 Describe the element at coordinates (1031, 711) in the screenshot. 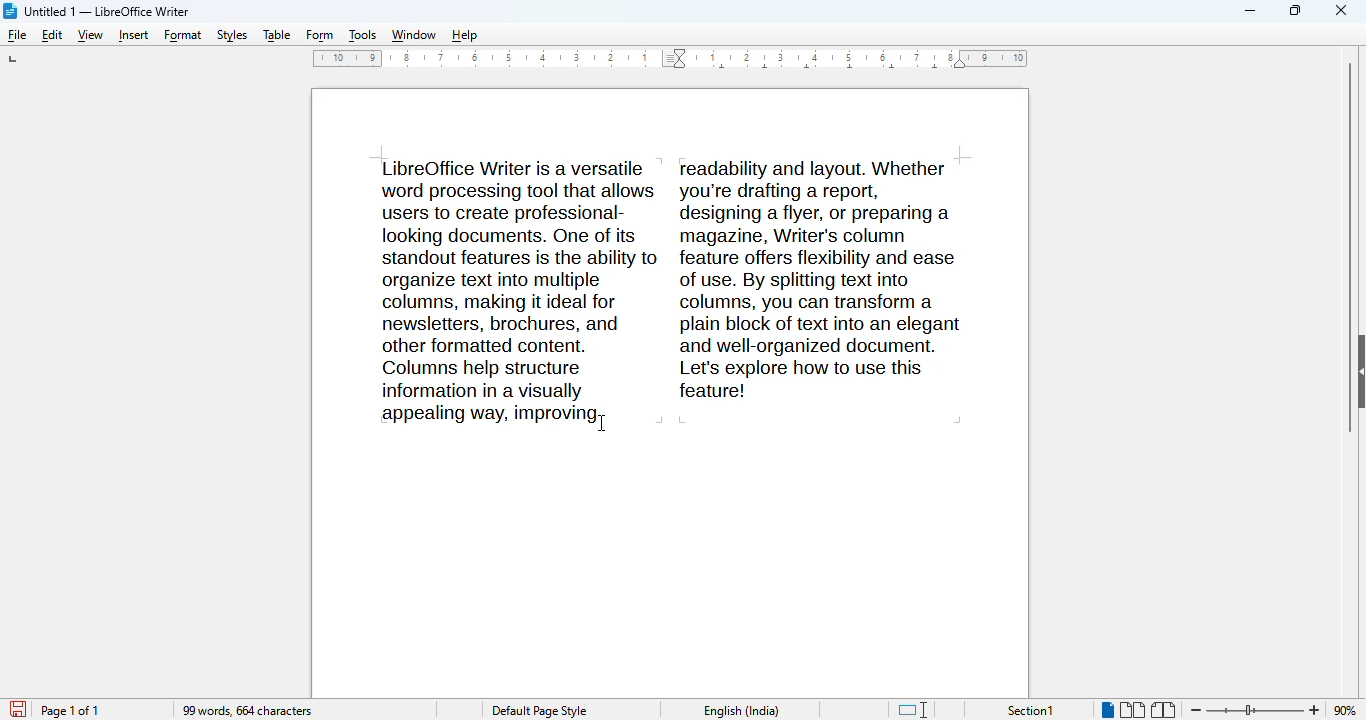

I see `section 1` at that location.